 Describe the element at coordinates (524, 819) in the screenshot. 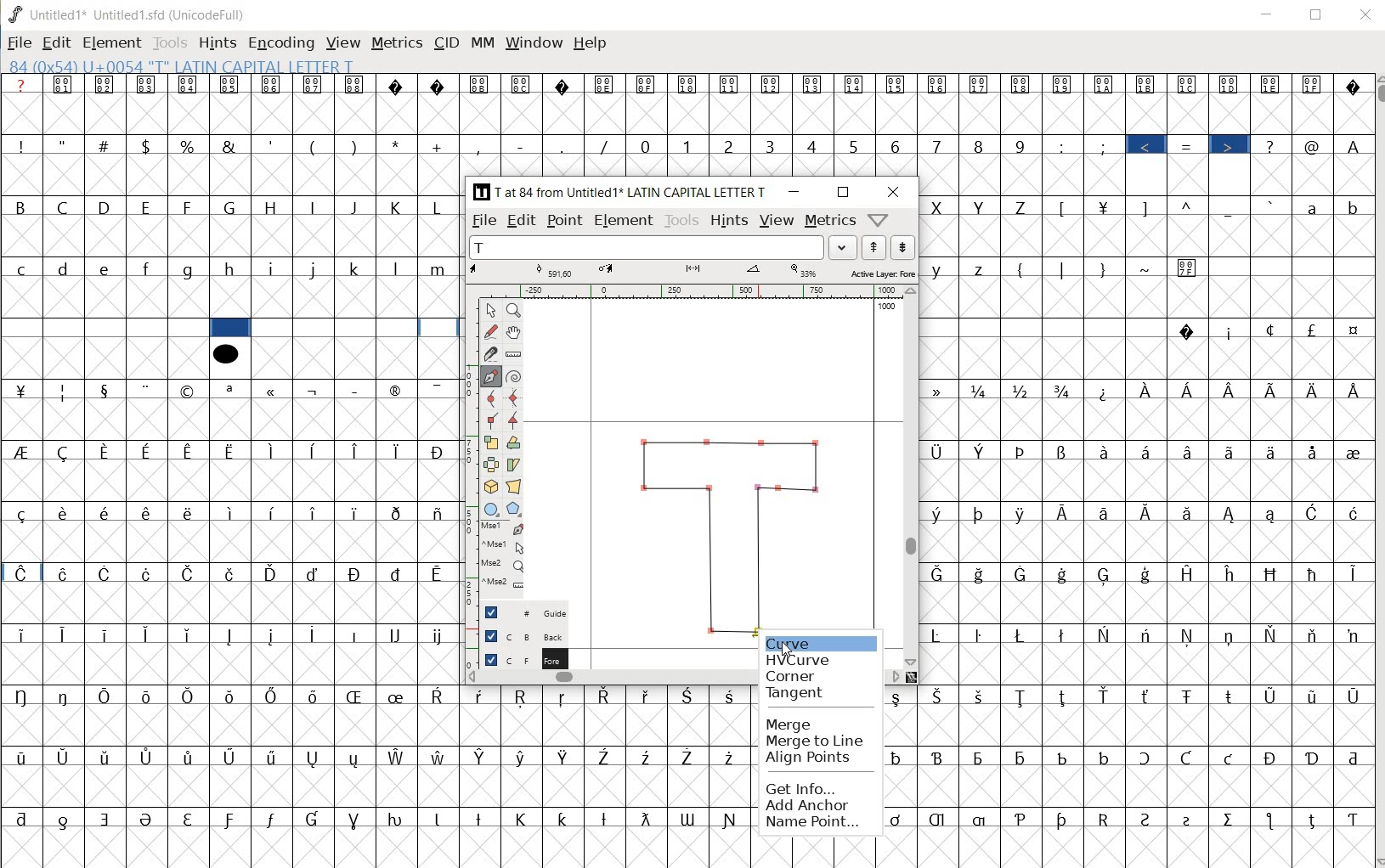

I see `Symbol` at that location.